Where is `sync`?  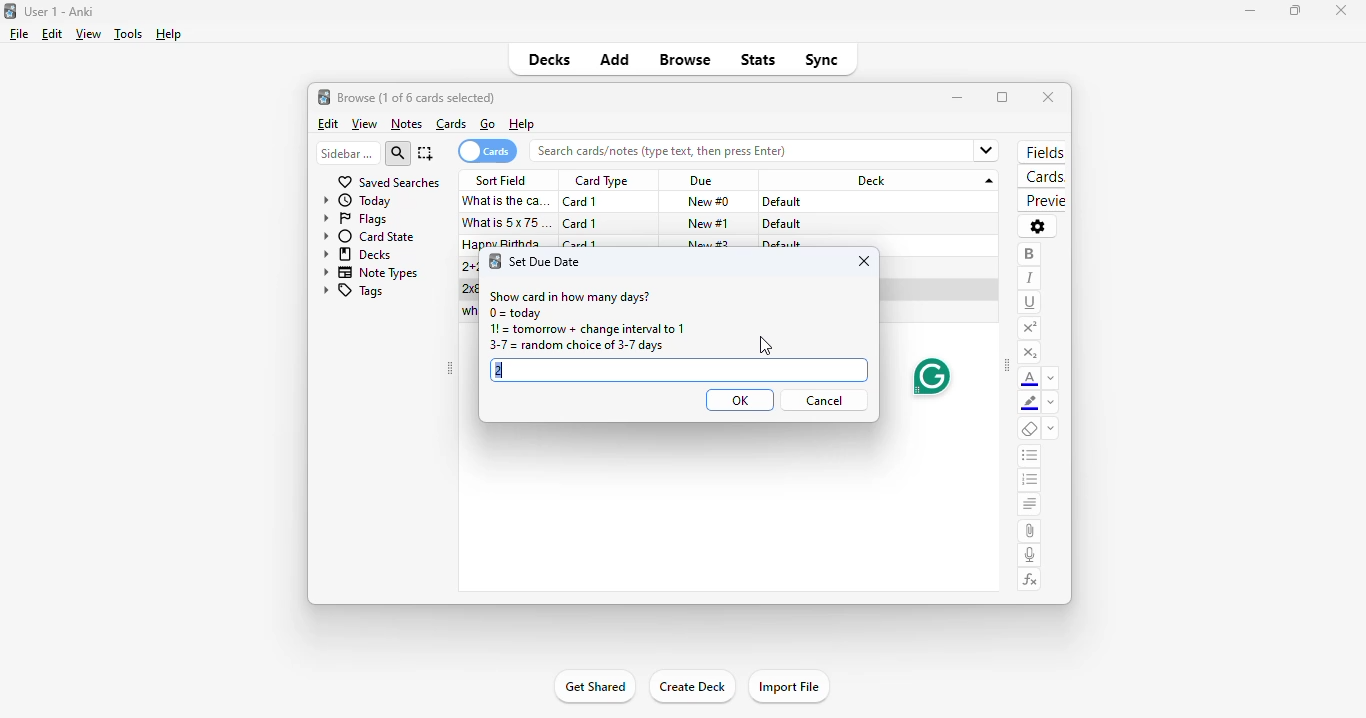 sync is located at coordinates (821, 60).